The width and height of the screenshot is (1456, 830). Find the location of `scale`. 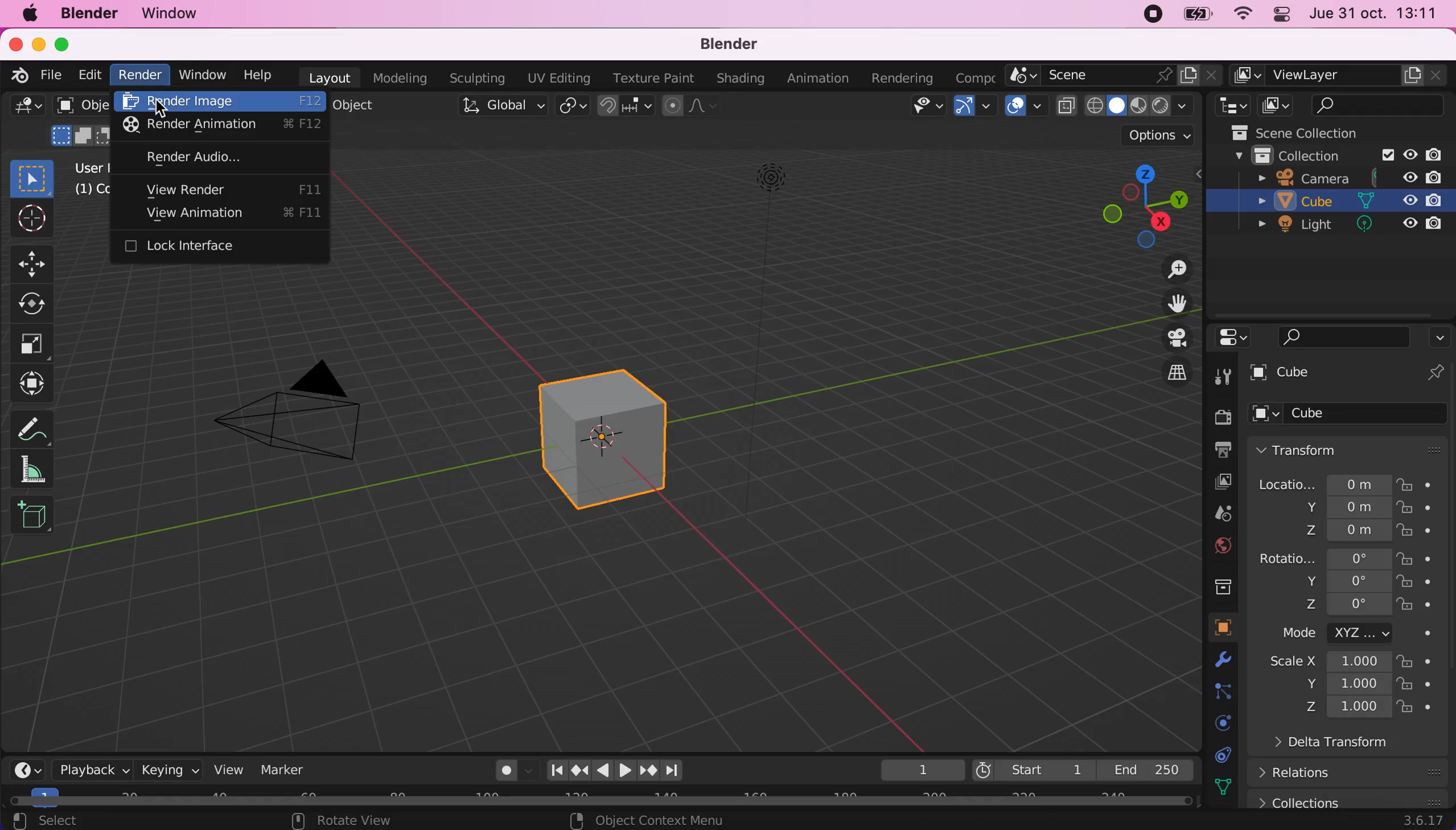

scale is located at coordinates (32, 342).